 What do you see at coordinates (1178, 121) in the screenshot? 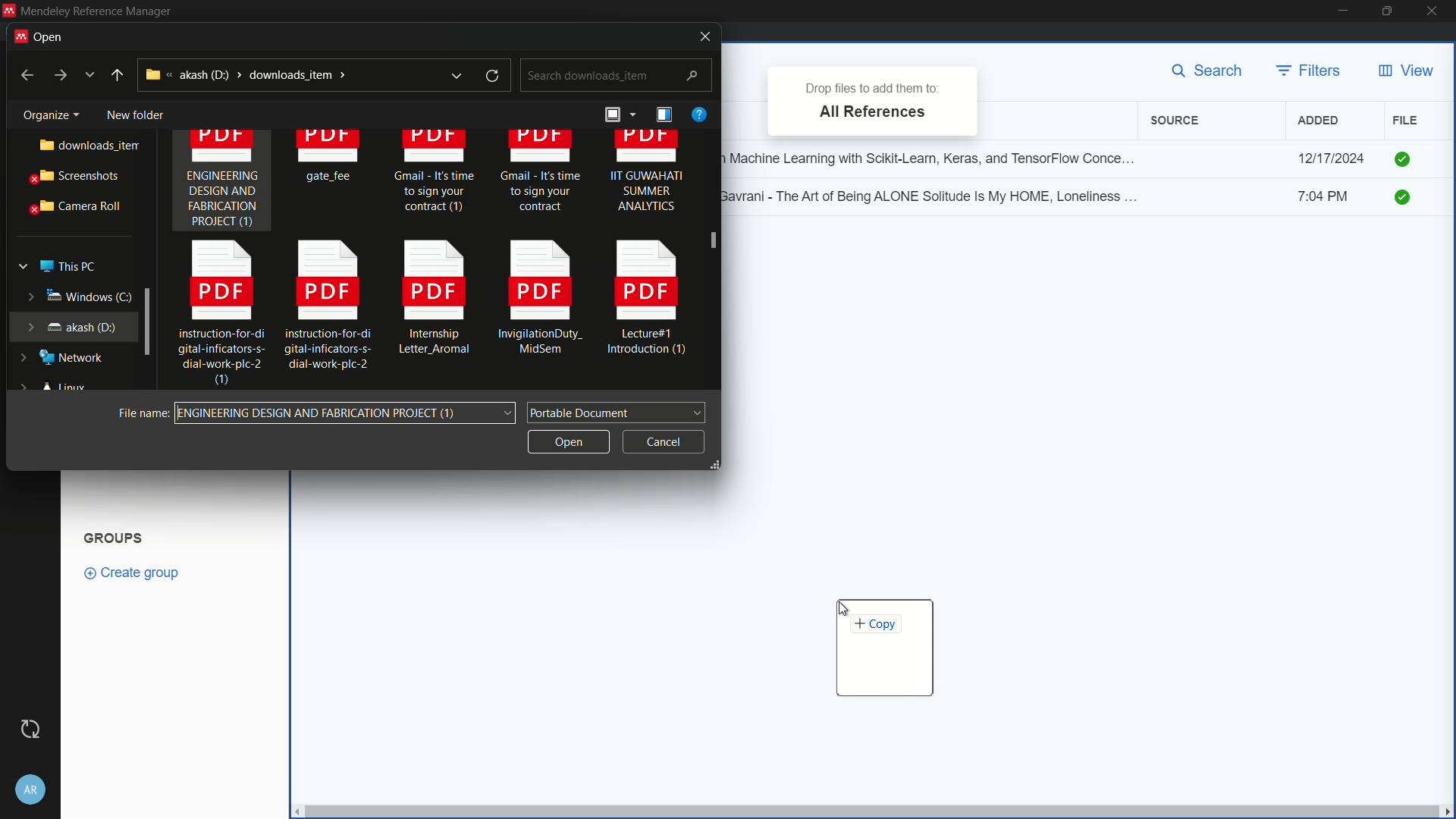
I see `source` at bounding box center [1178, 121].